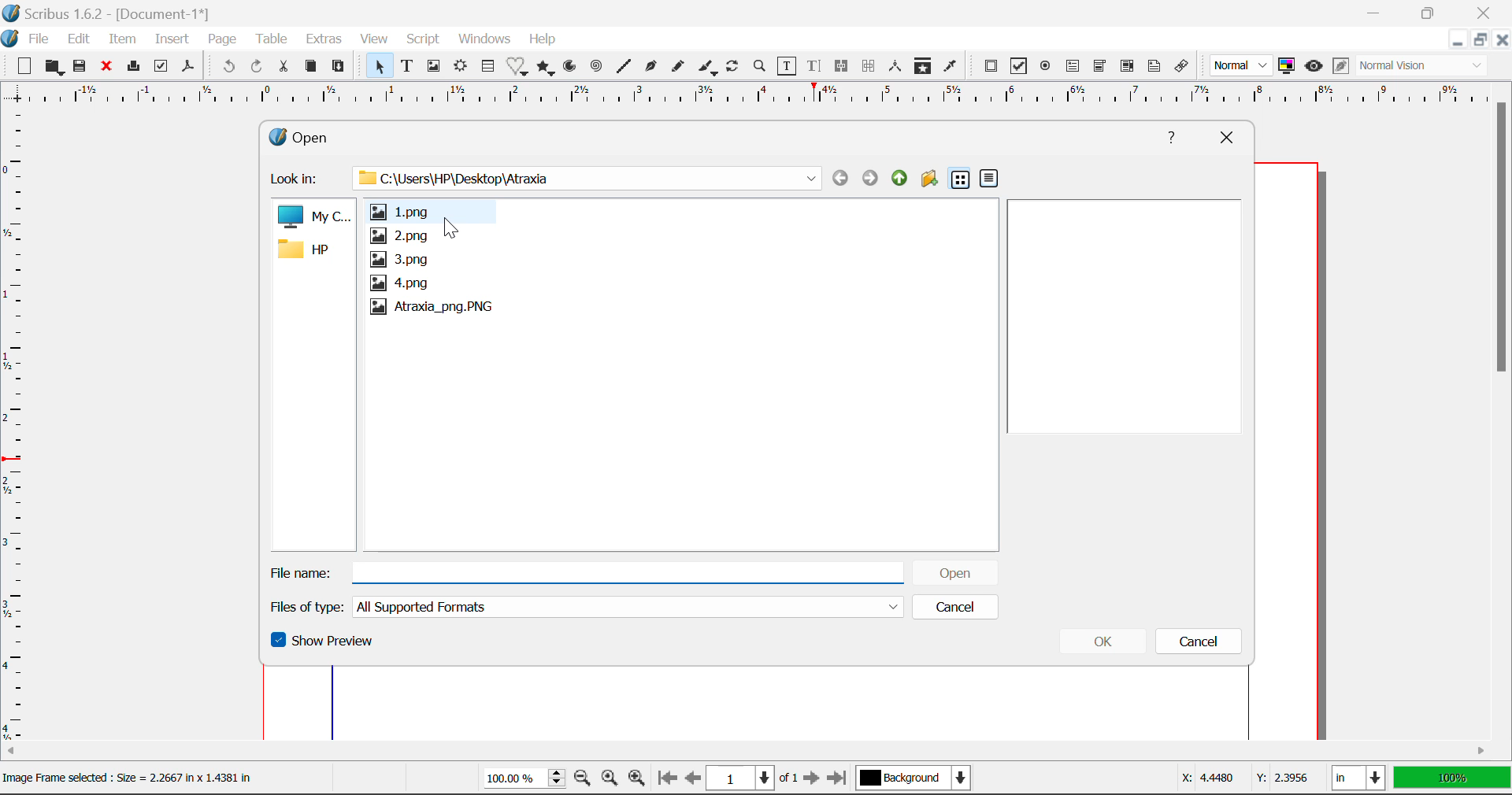 The image size is (1512, 795). I want to click on New Folder, so click(929, 180).